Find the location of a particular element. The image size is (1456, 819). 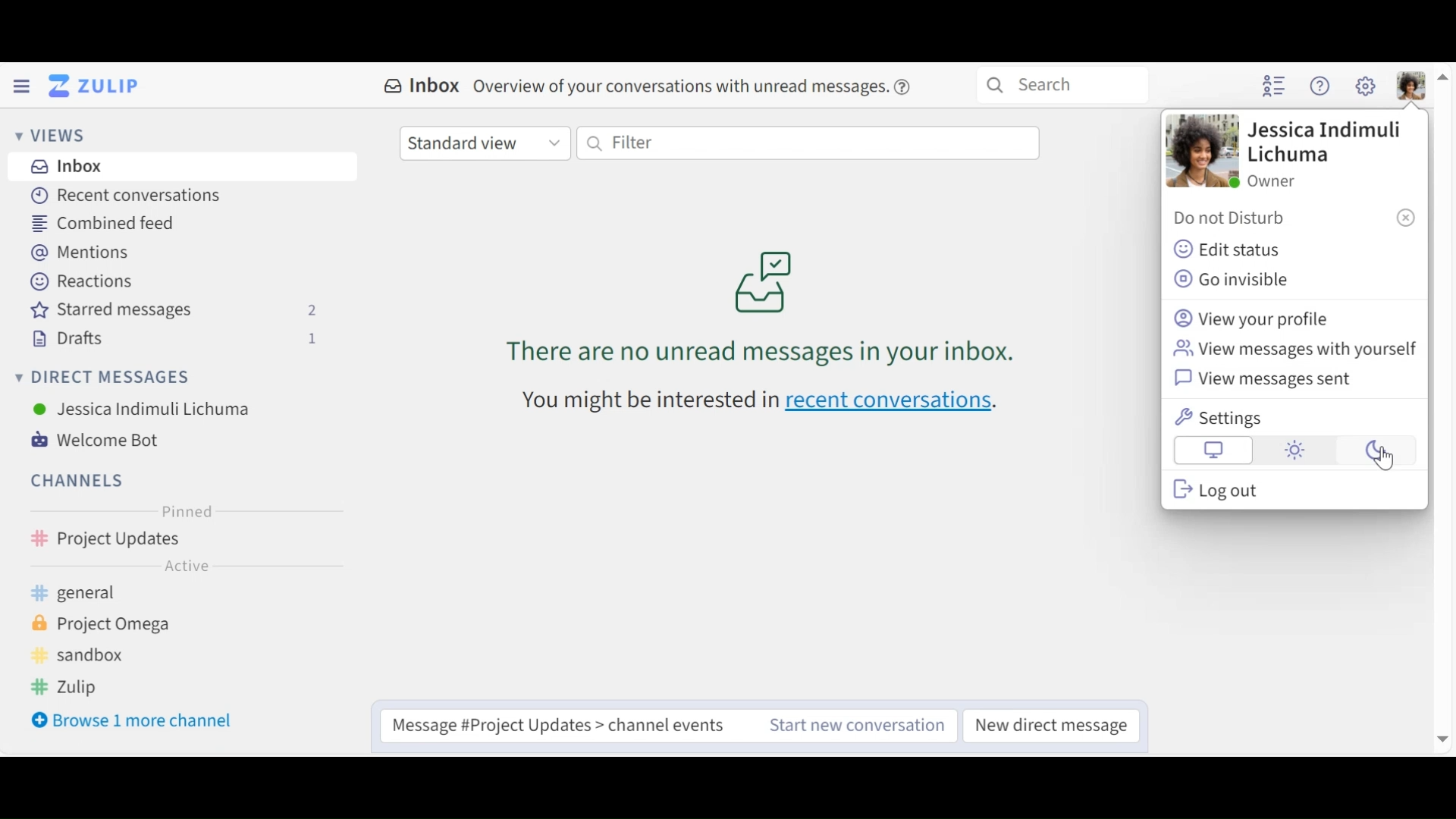

Dark theme is located at coordinates (1372, 451).